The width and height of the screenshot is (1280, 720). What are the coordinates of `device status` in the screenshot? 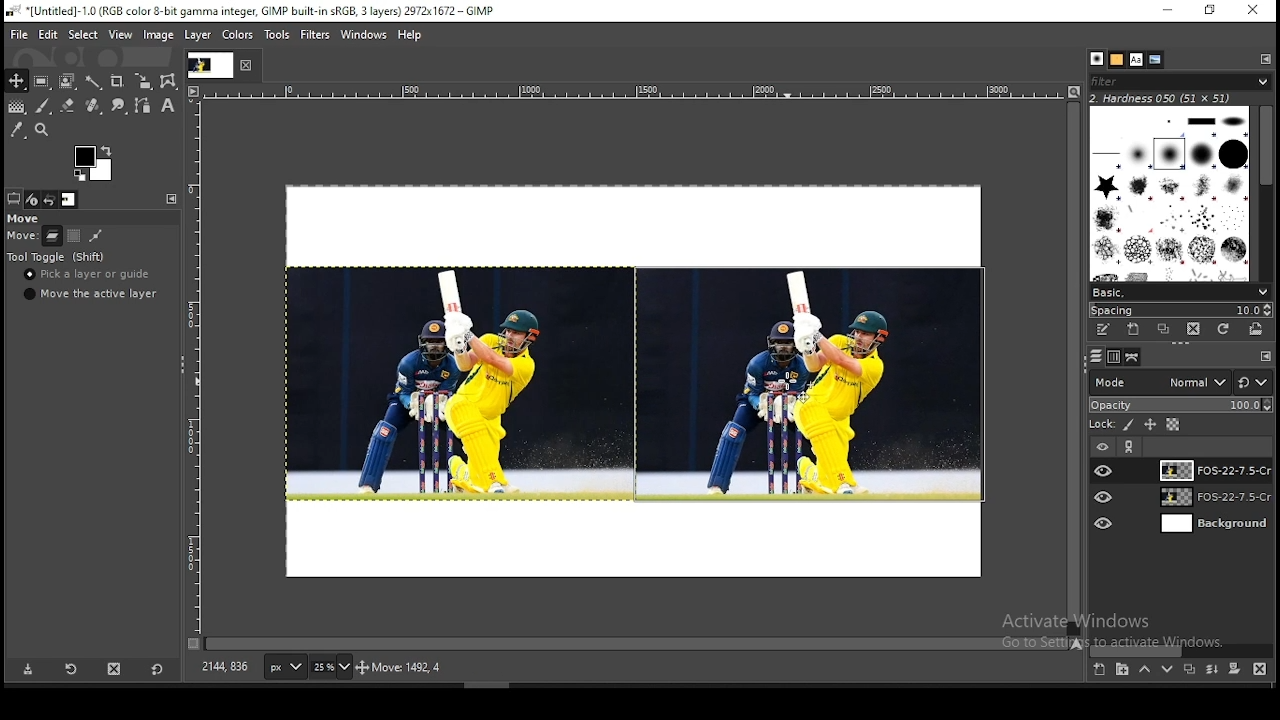 It's located at (33, 199).